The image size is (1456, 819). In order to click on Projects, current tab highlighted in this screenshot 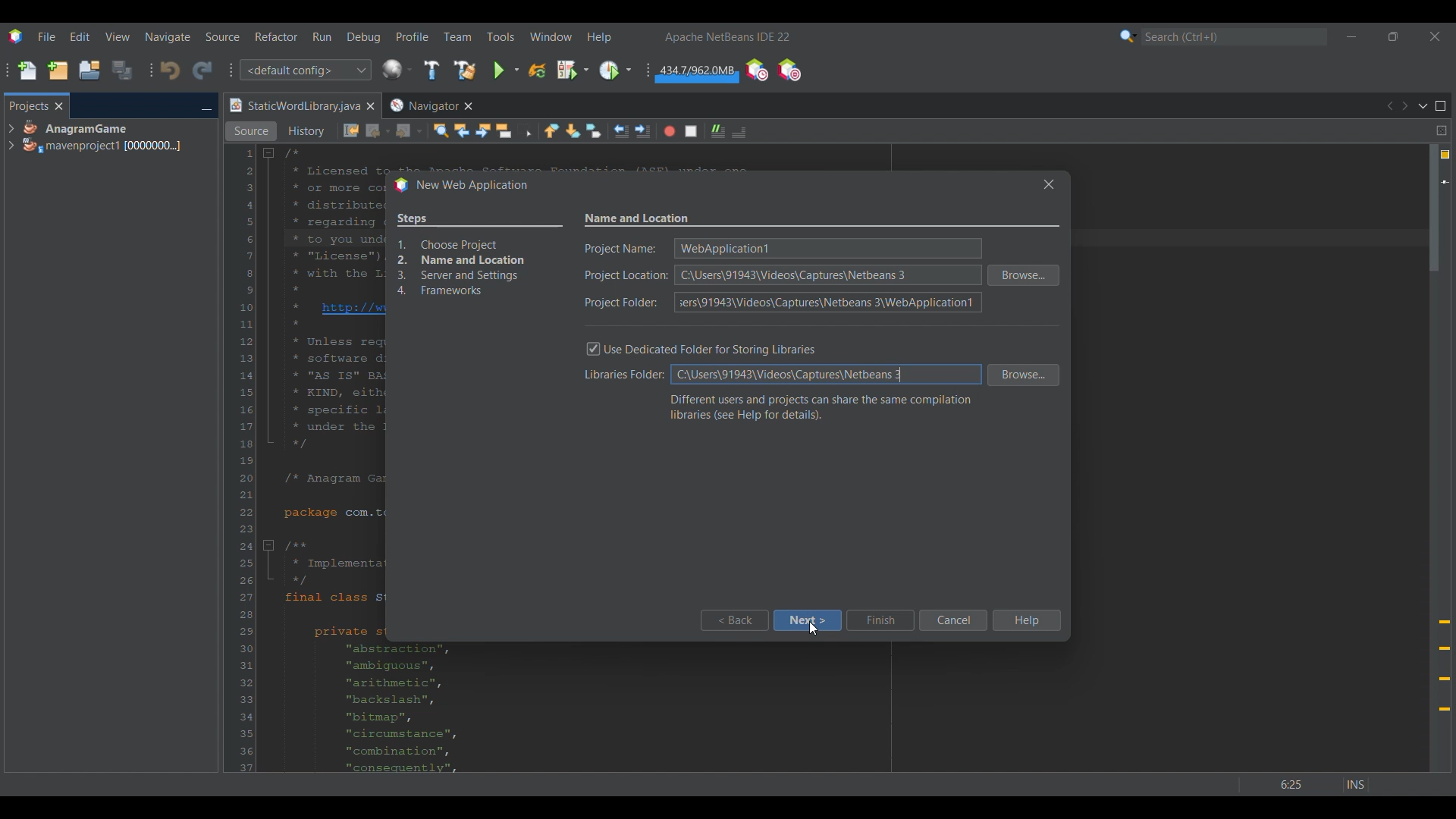, I will do `click(28, 105)`.